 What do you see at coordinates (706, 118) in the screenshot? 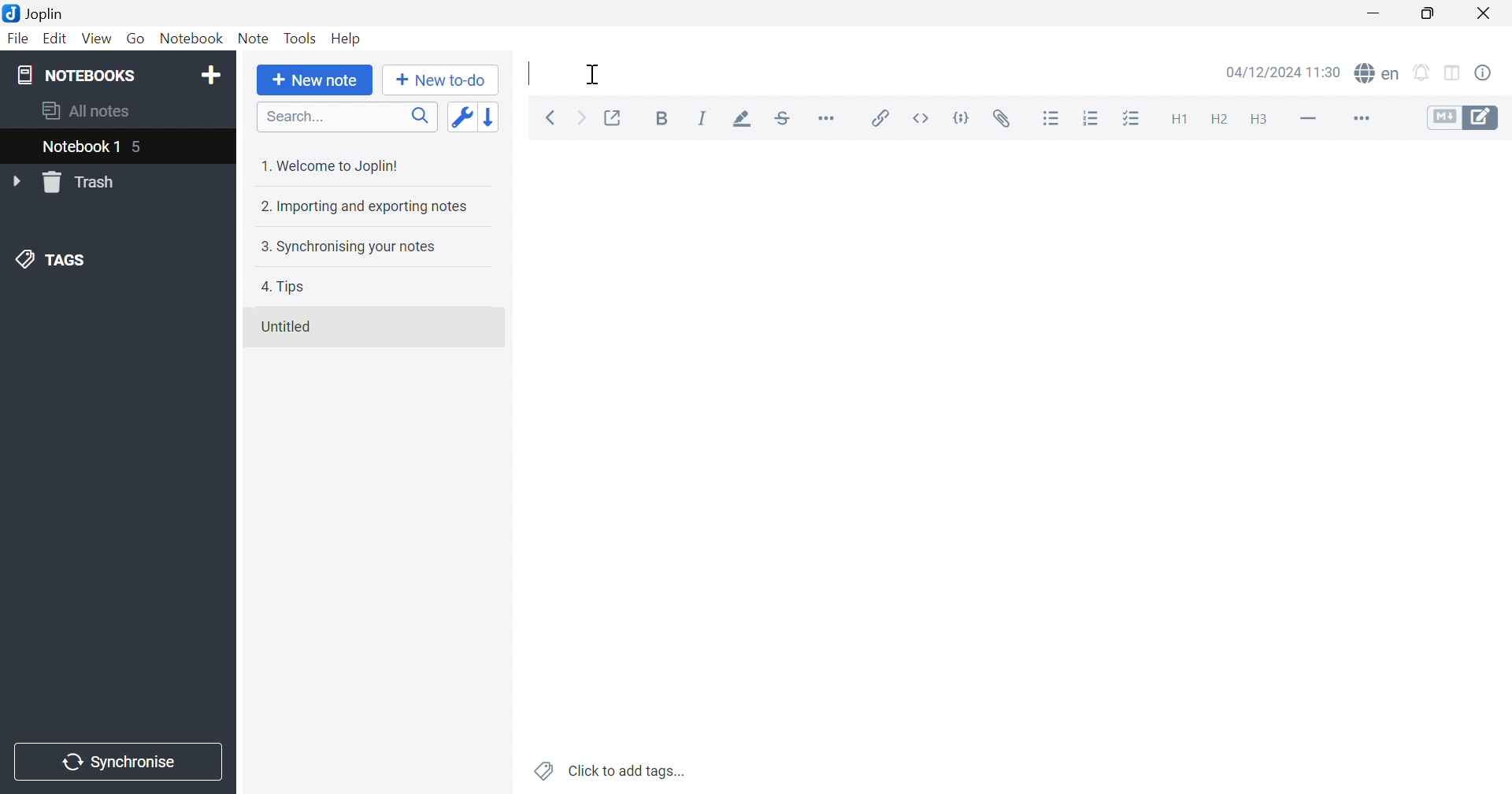
I see `Italic` at bounding box center [706, 118].